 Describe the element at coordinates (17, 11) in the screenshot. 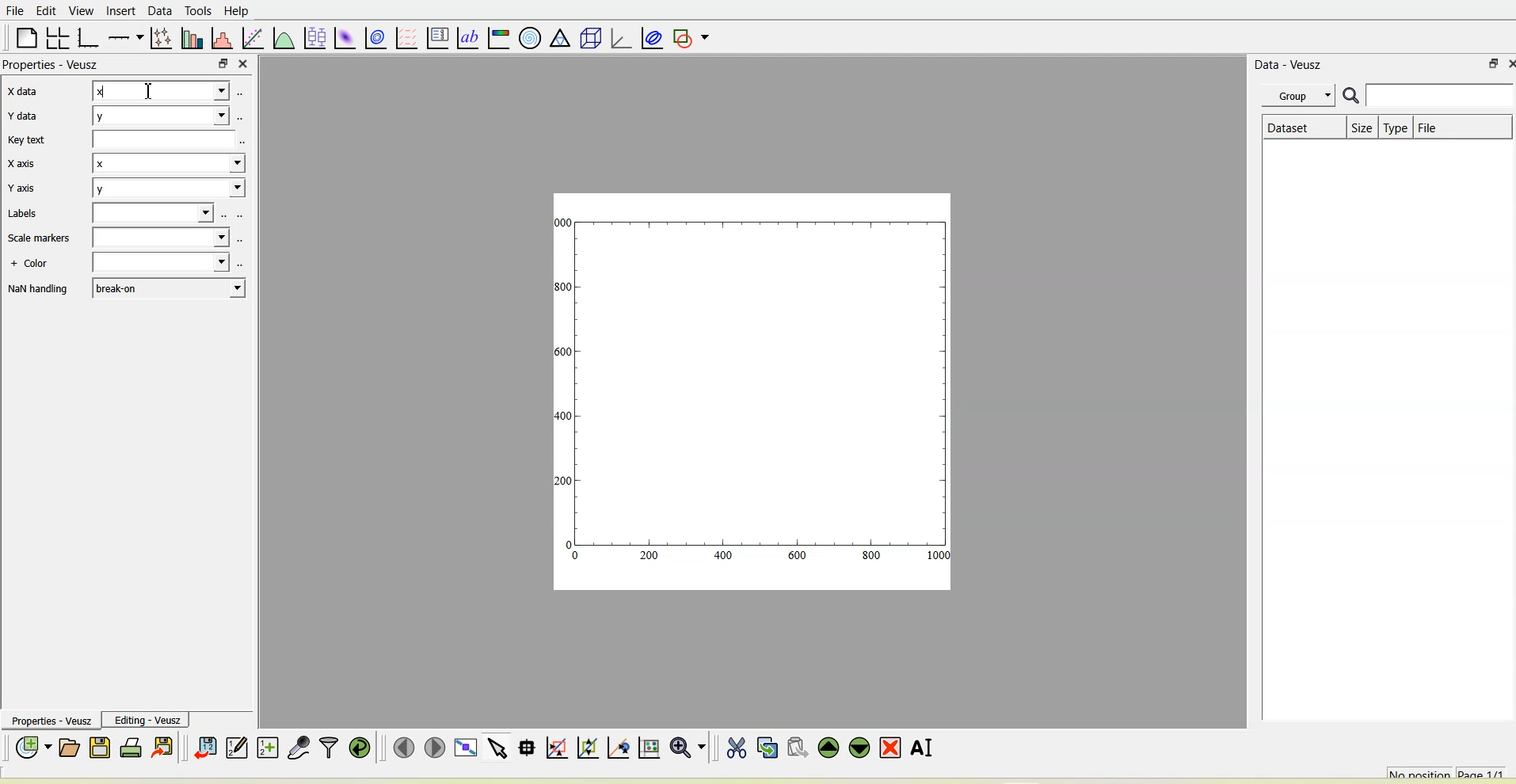

I see `File` at that location.